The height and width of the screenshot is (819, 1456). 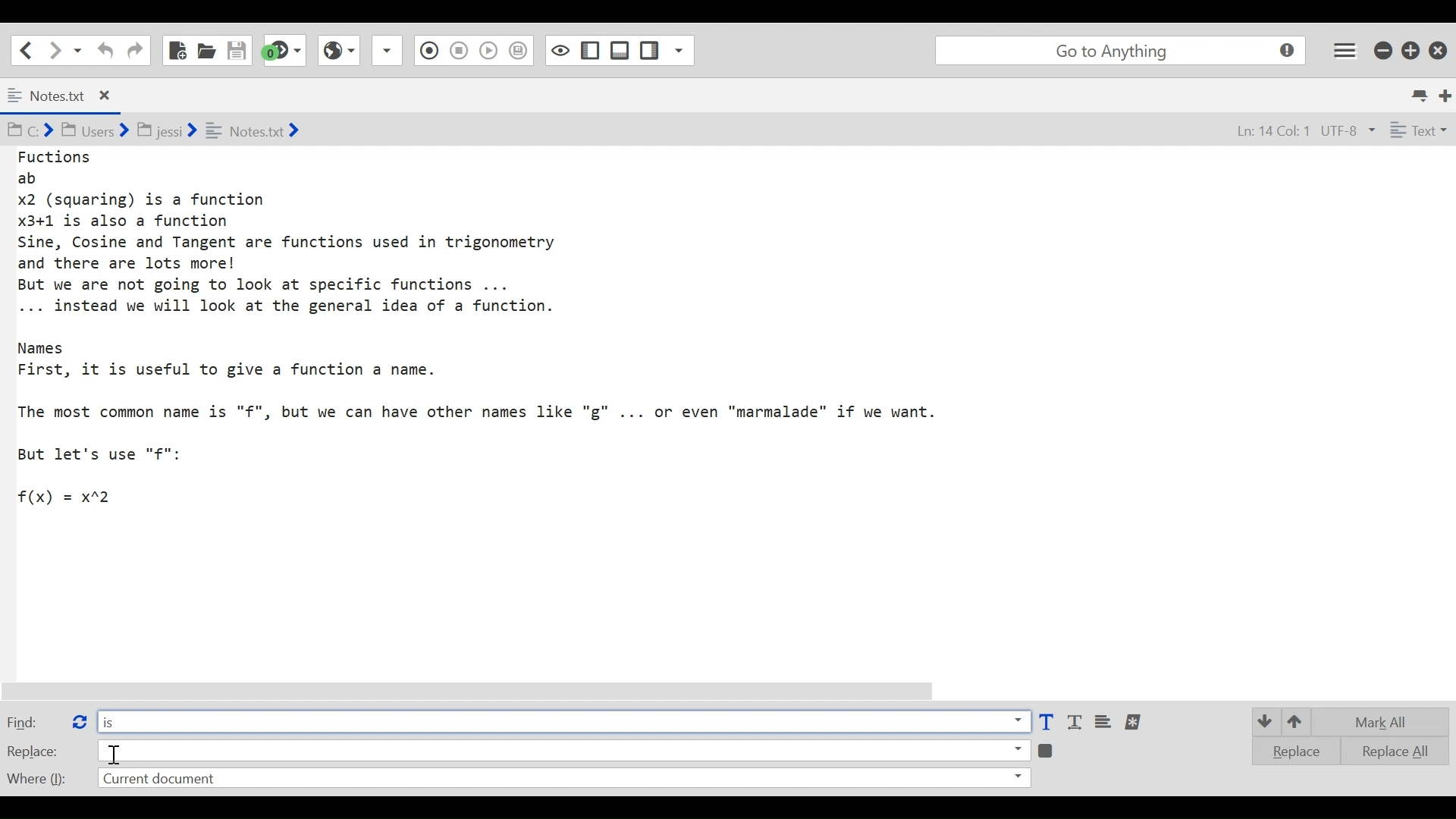 What do you see at coordinates (559, 49) in the screenshot?
I see `Show/Hide Right pane` at bounding box center [559, 49].